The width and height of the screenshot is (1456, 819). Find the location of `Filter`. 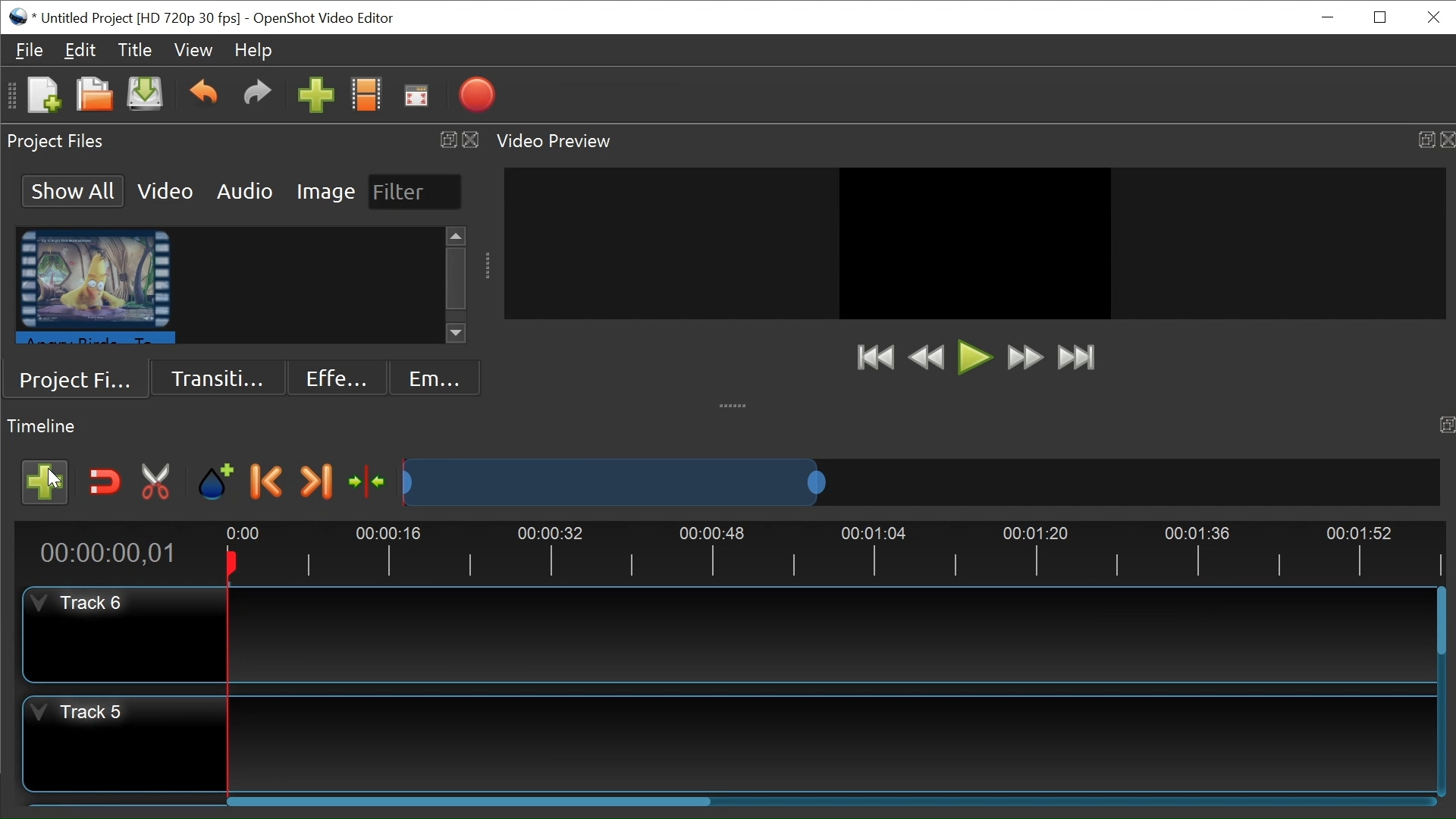

Filter is located at coordinates (416, 192).